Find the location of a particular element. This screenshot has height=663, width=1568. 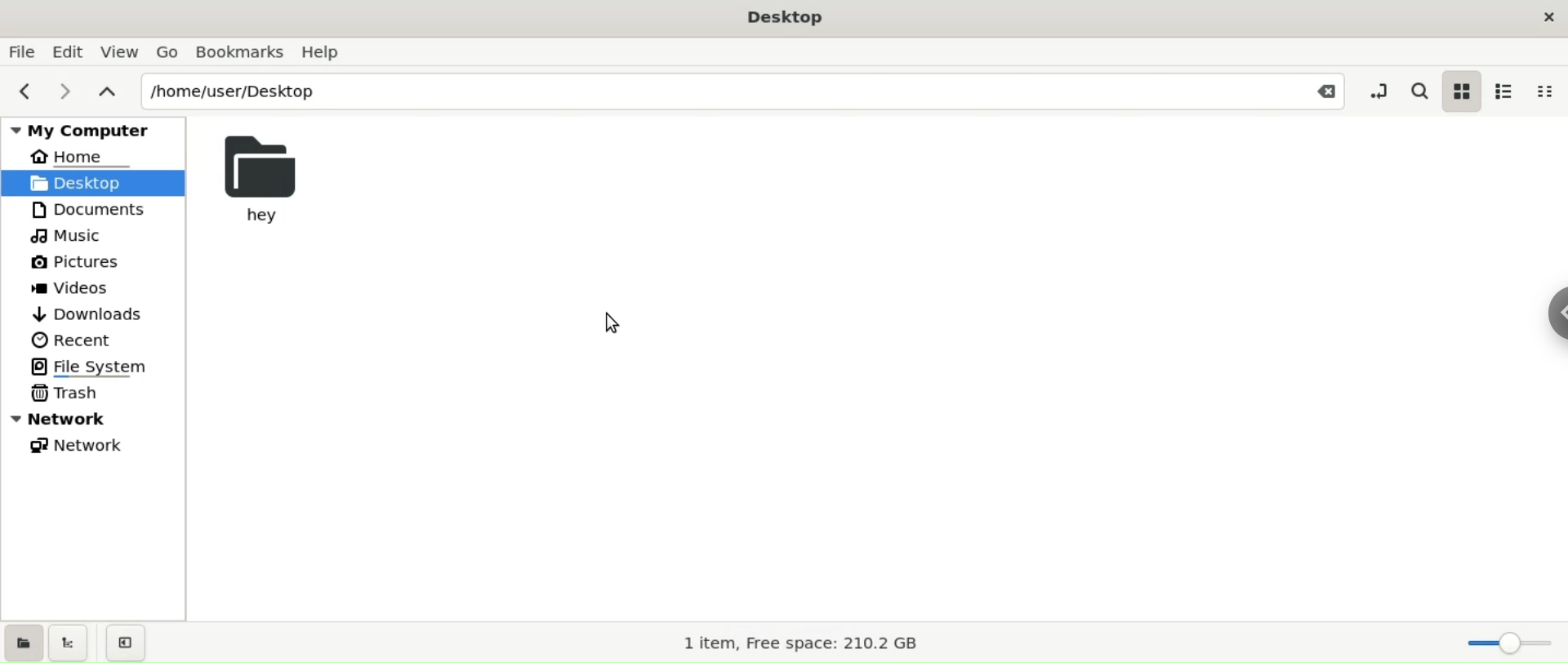

compact view is located at coordinates (1550, 90).